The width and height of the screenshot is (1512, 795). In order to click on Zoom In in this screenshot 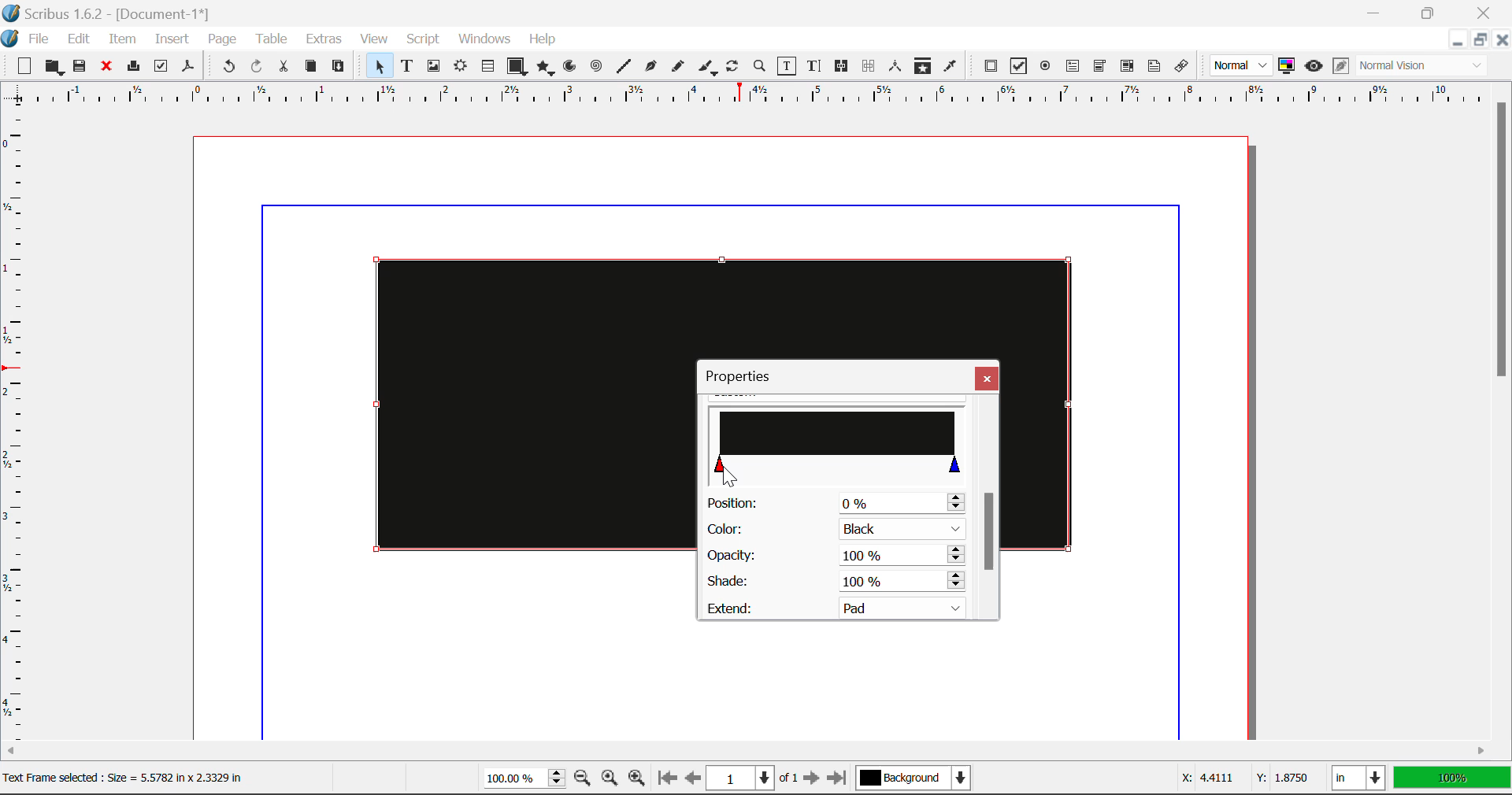, I will do `click(637, 780)`.